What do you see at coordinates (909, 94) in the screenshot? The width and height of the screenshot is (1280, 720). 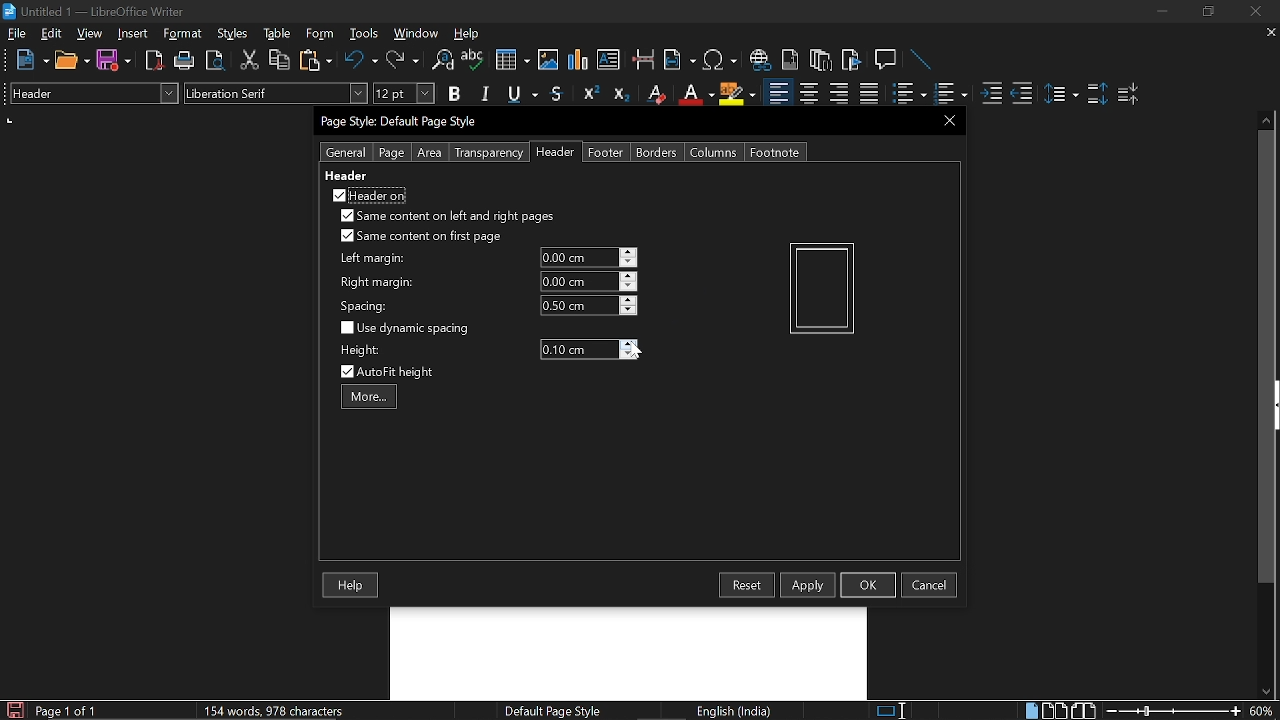 I see `toggle ordered list` at bounding box center [909, 94].